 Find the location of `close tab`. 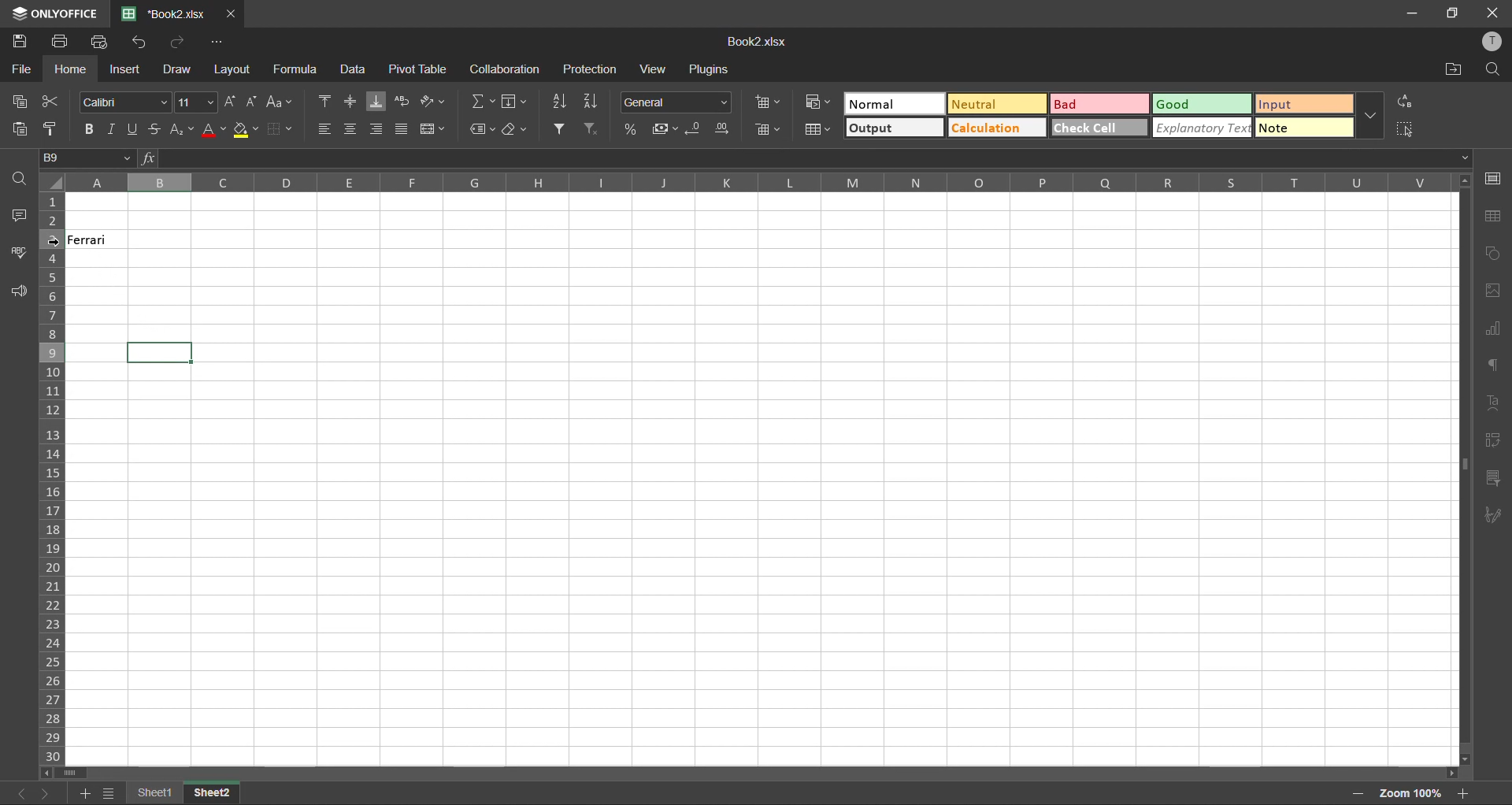

close tab is located at coordinates (233, 14).